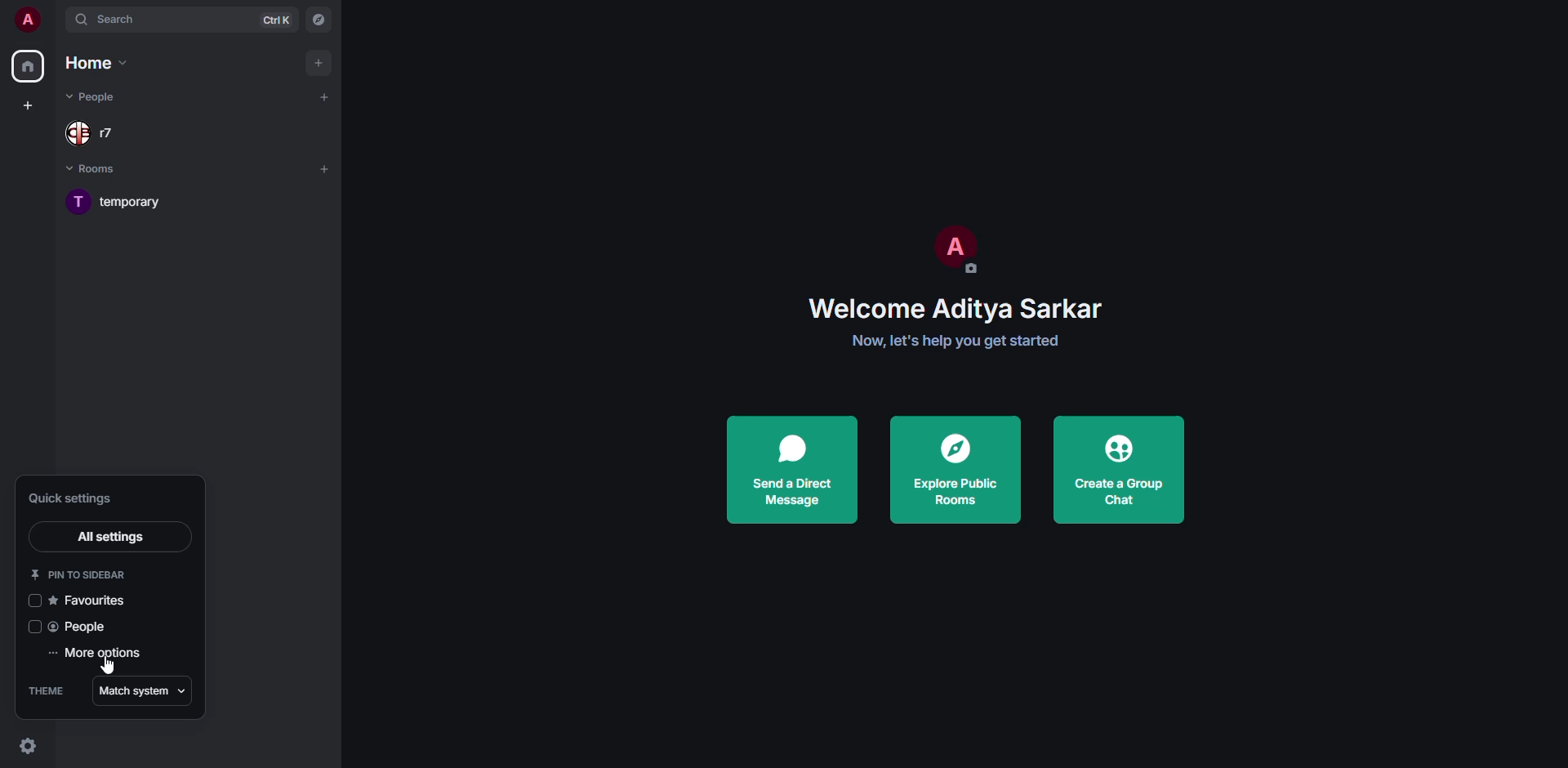 The width and height of the screenshot is (1568, 768). What do you see at coordinates (80, 574) in the screenshot?
I see `pin to sidebar` at bounding box center [80, 574].